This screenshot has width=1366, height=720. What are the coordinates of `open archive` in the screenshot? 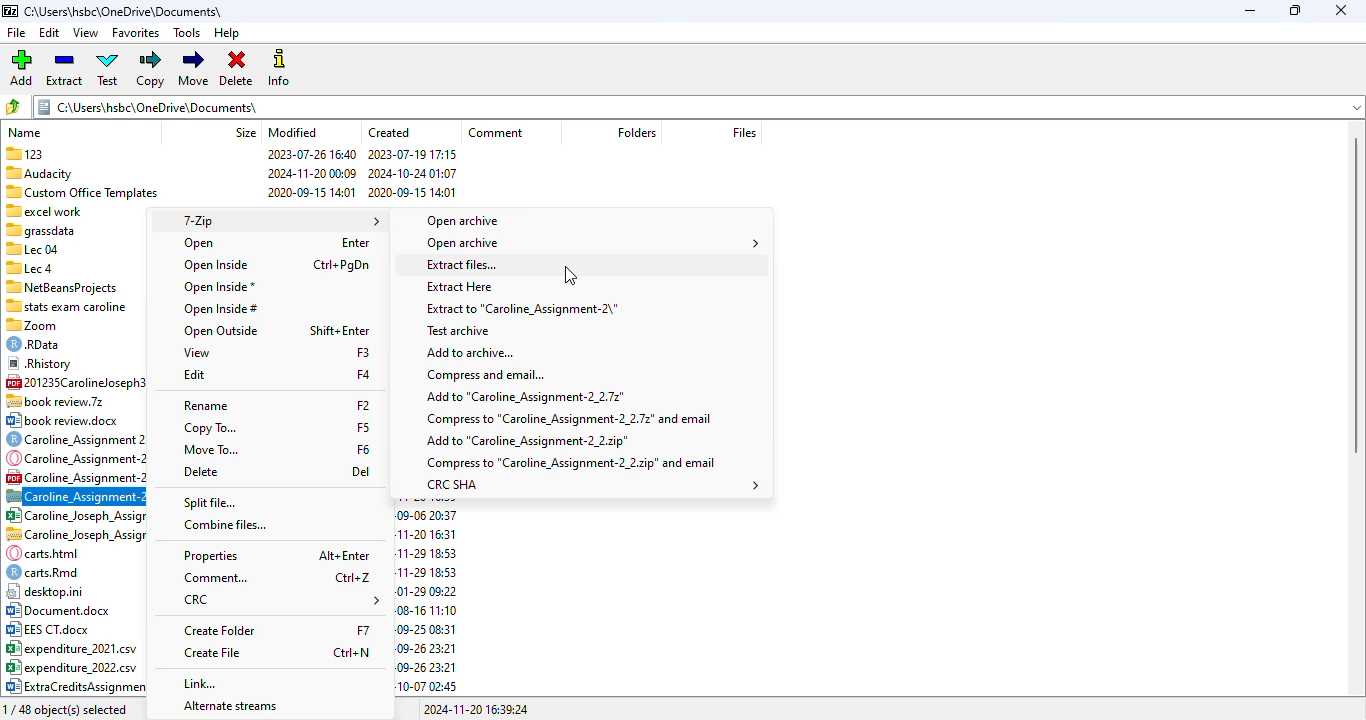 It's located at (593, 244).